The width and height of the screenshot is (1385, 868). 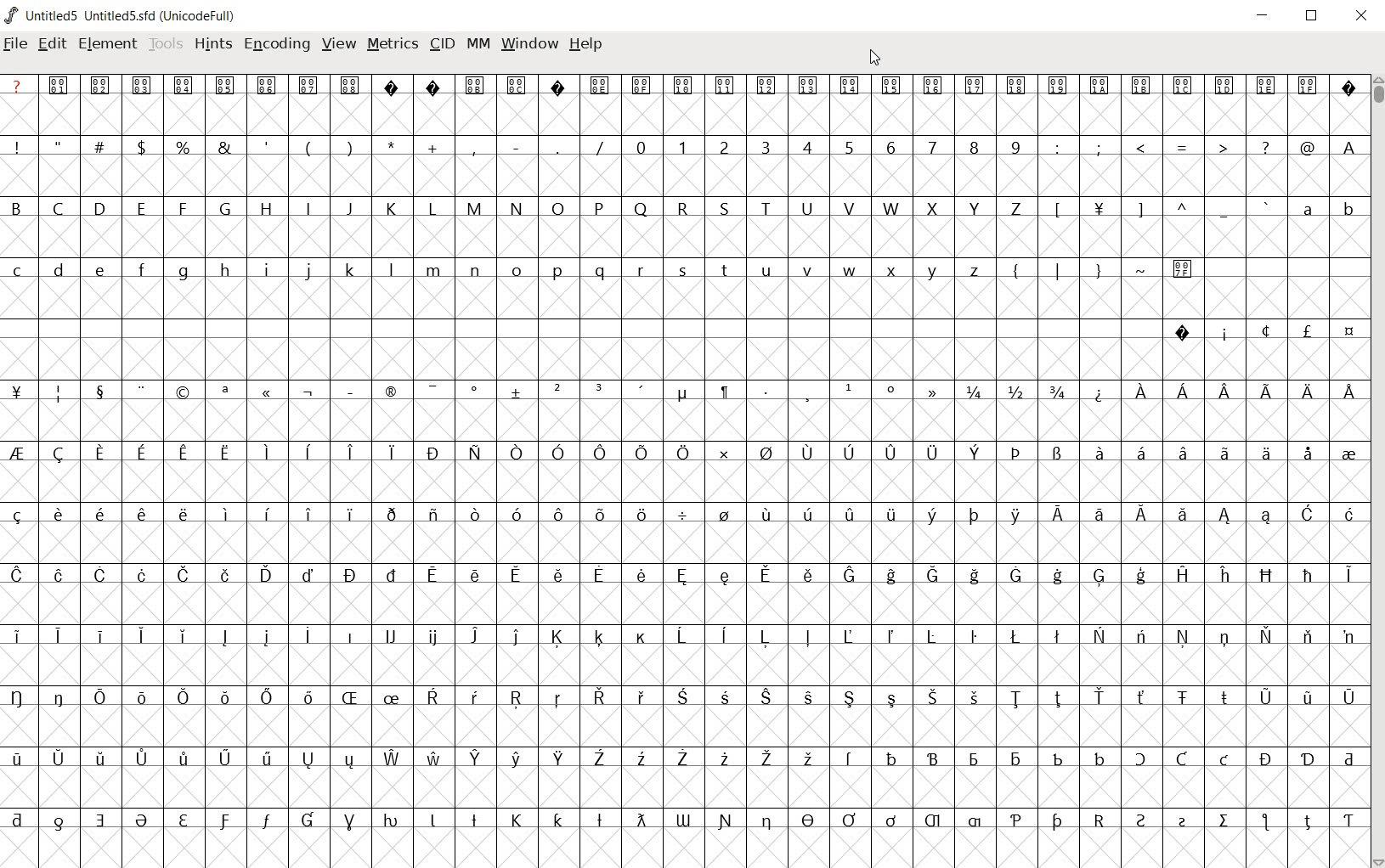 I want to click on Symbol, so click(x=893, y=87).